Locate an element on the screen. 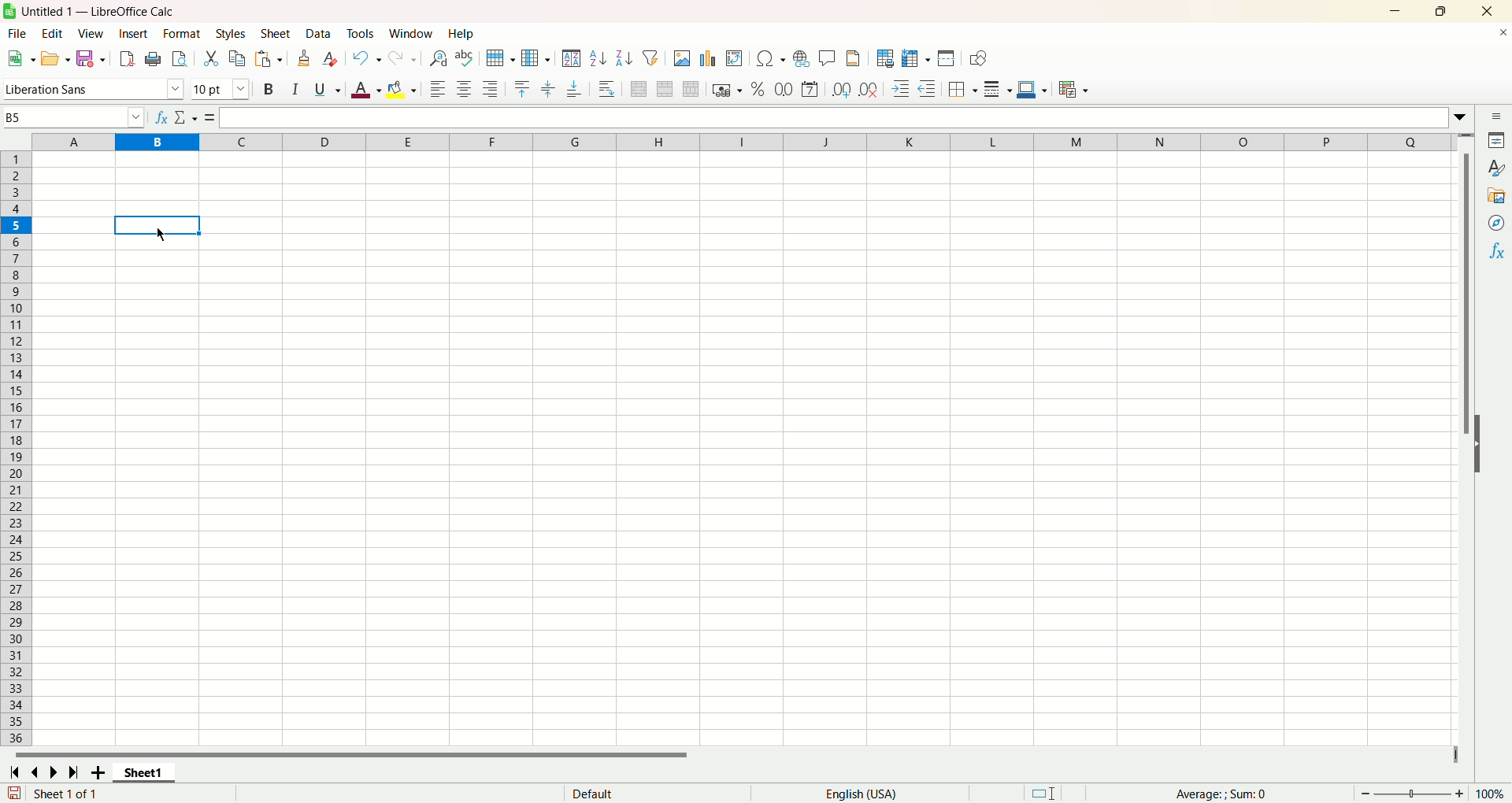 The image size is (1512, 803). language is located at coordinates (862, 792).